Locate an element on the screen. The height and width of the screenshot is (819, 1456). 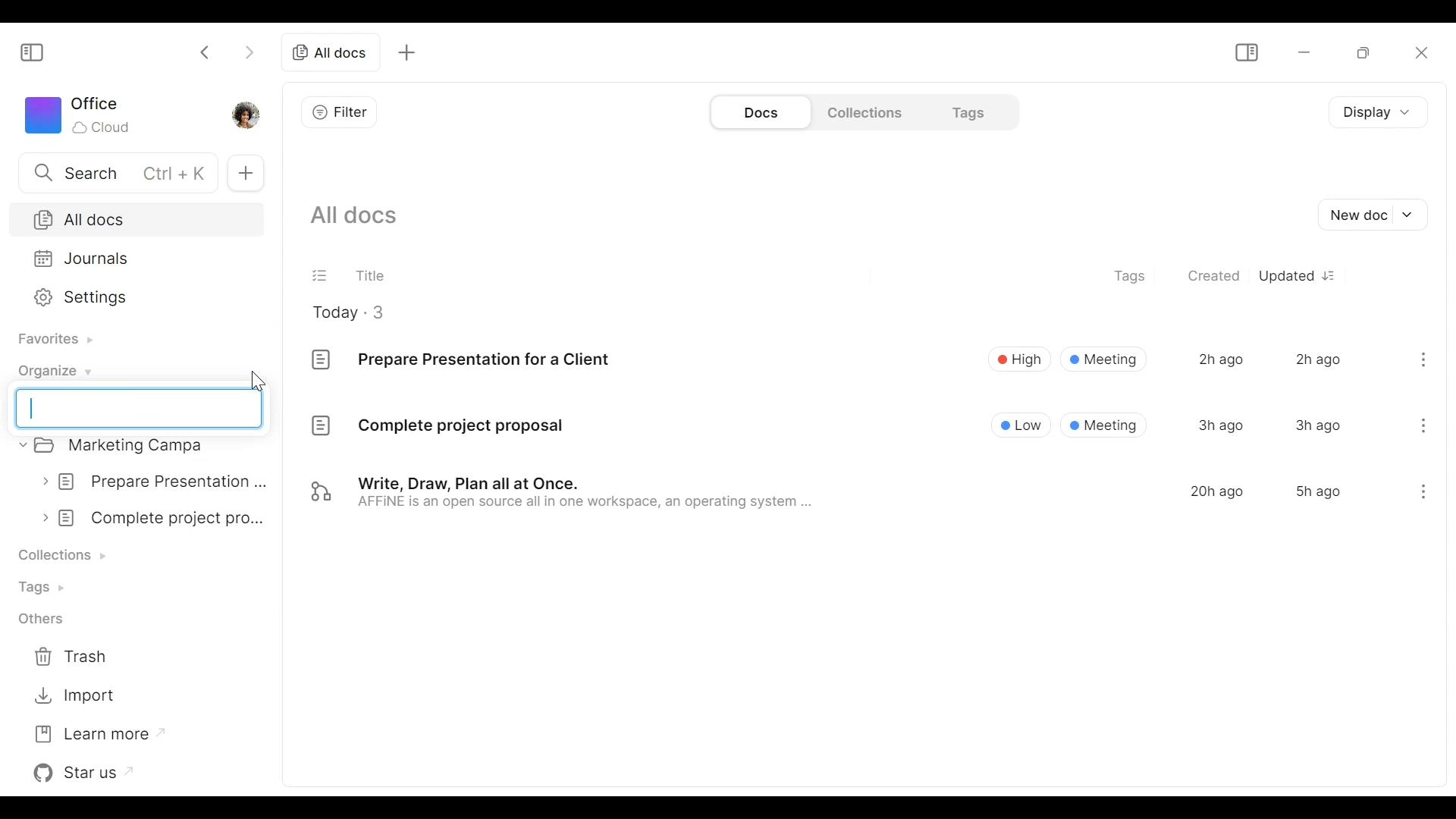
Profile photo is located at coordinates (251, 114).